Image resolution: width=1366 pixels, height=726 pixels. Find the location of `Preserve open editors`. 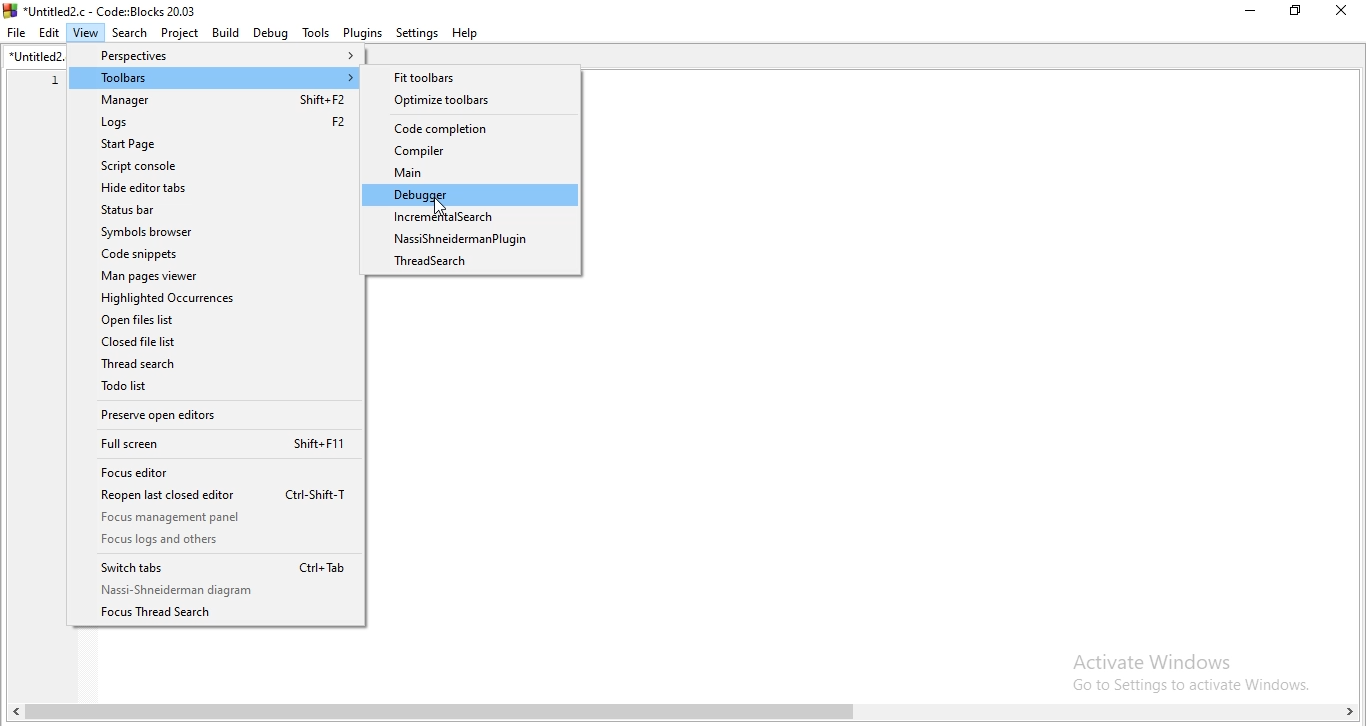

Preserve open editors is located at coordinates (215, 414).